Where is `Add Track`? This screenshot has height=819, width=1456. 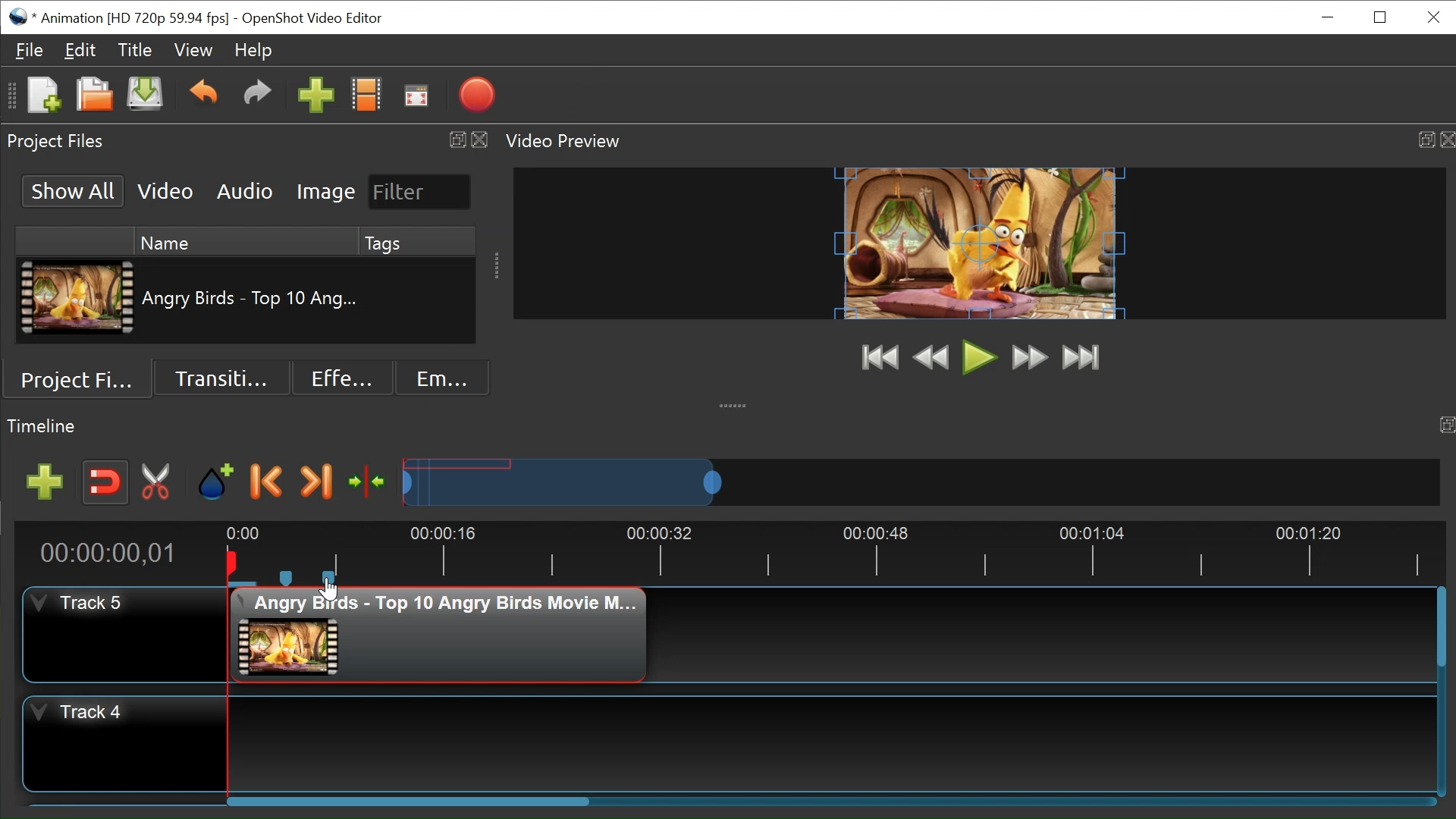 Add Track is located at coordinates (45, 482).